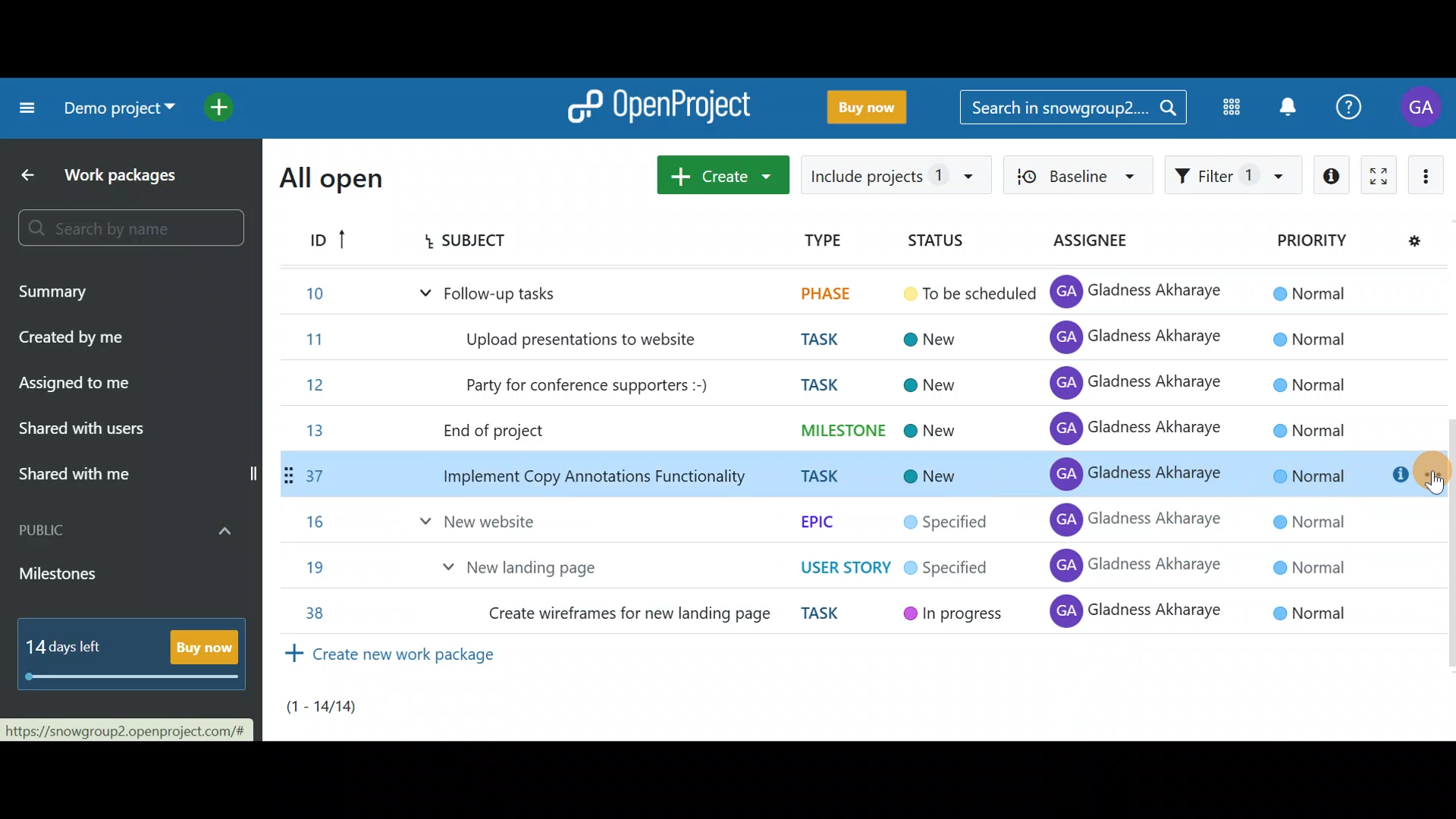 This screenshot has width=1456, height=819. Describe the element at coordinates (1075, 173) in the screenshot. I see `Baseline` at that location.